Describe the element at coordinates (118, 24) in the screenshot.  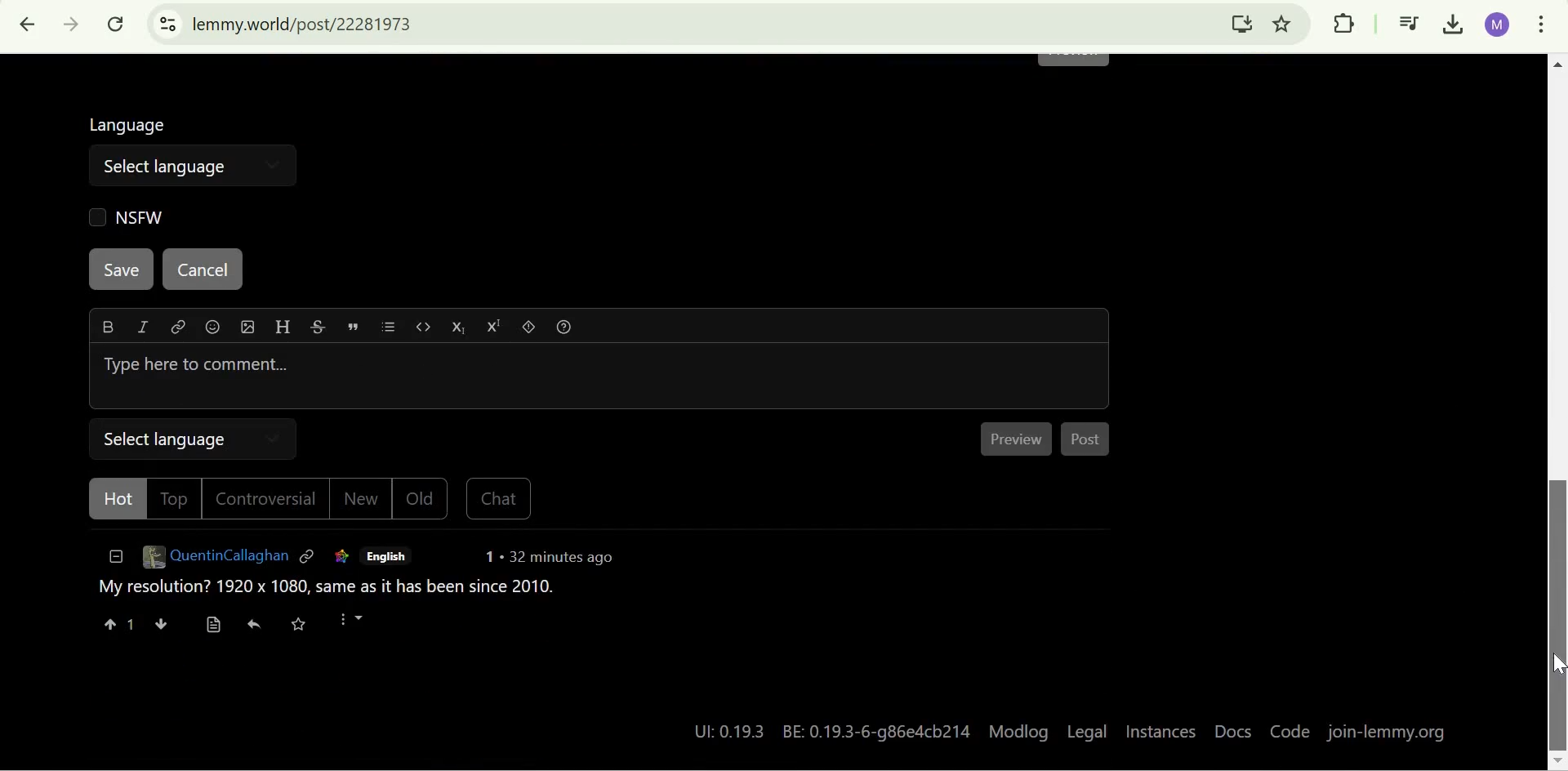
I see `Reload this page` at that location.